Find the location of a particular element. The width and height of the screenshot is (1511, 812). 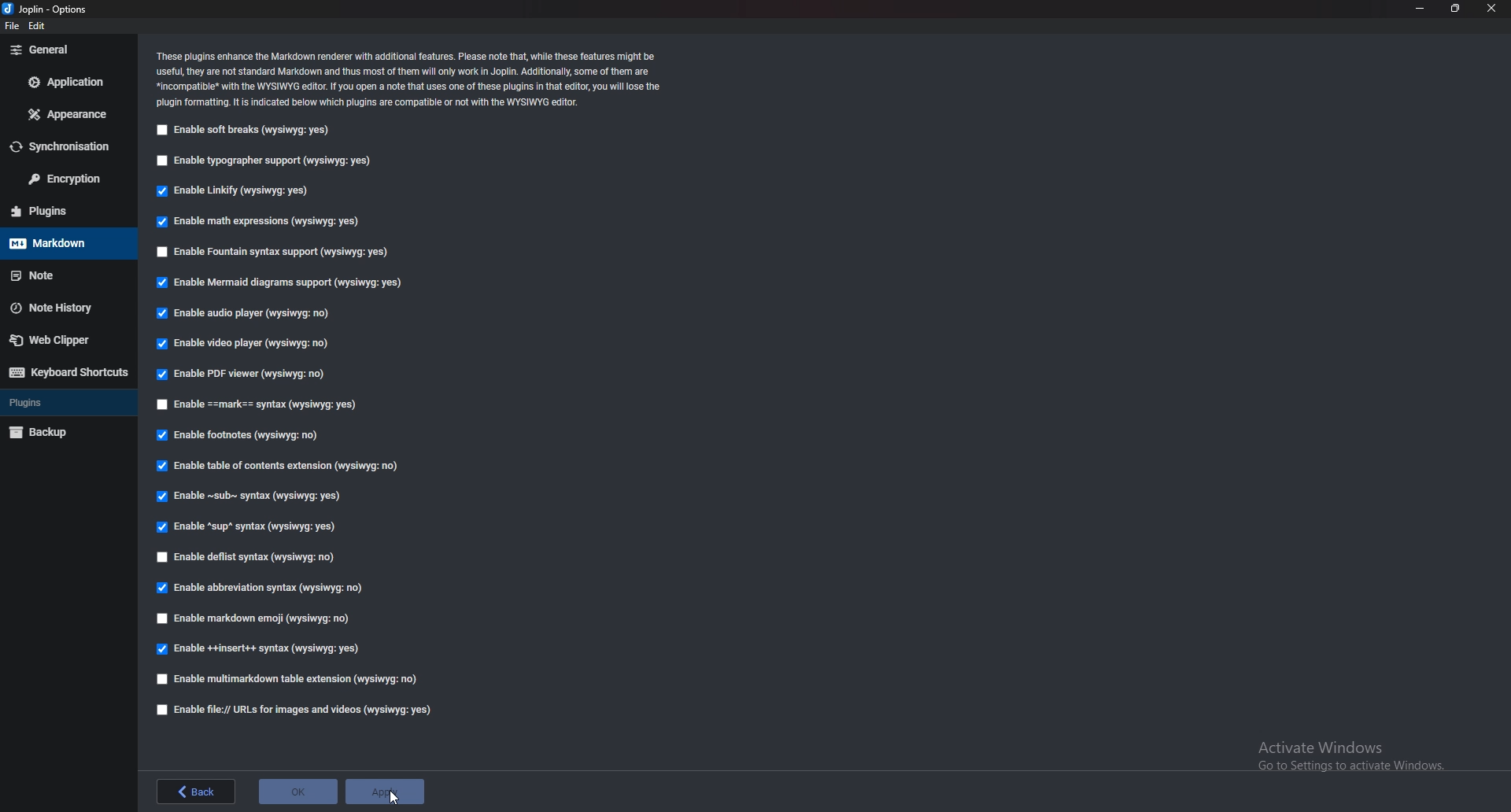

Enable mermaid diagram support is located at coordinates (283, 283).